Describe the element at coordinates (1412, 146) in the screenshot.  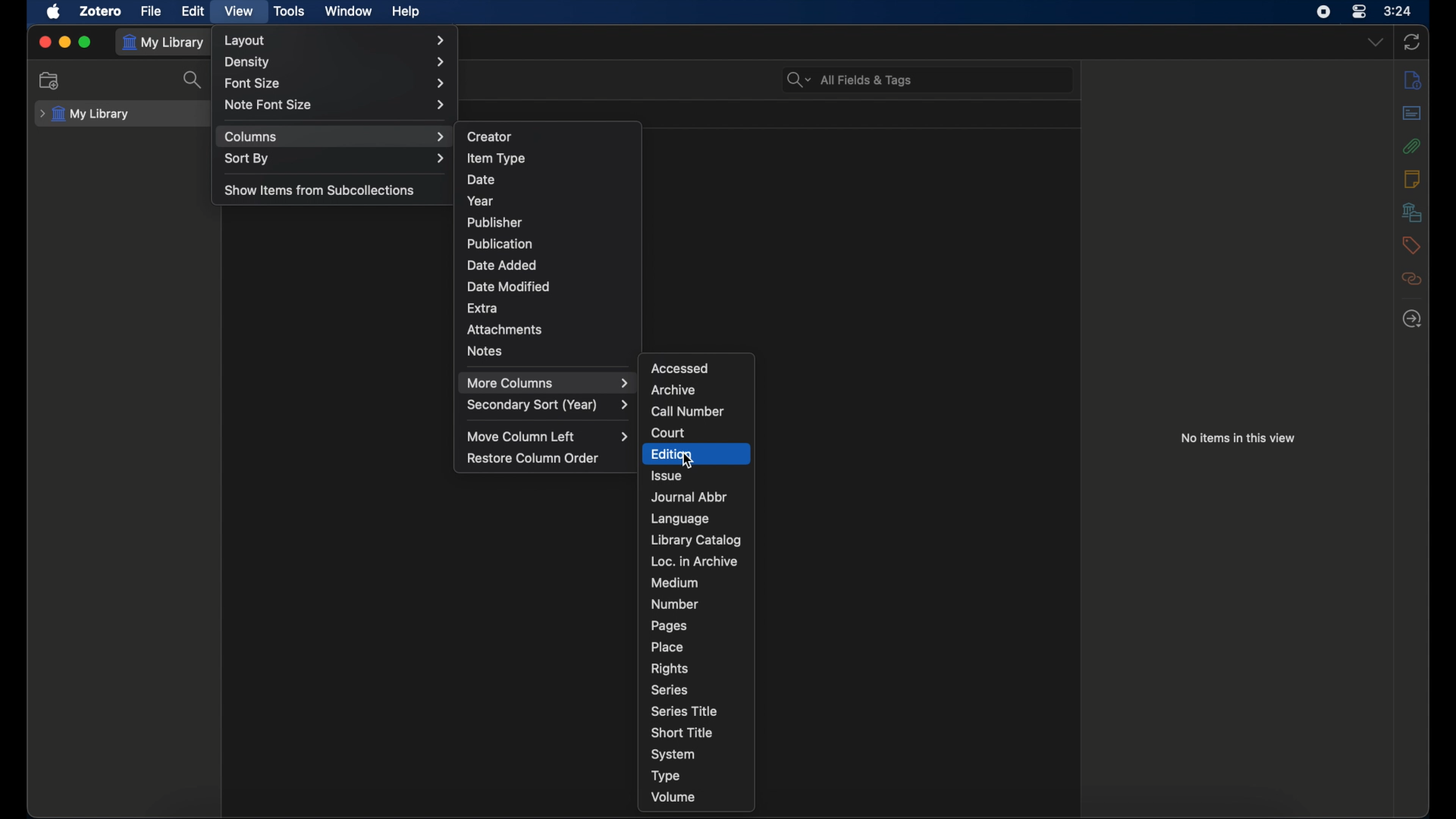
I see `attachments` at that location.